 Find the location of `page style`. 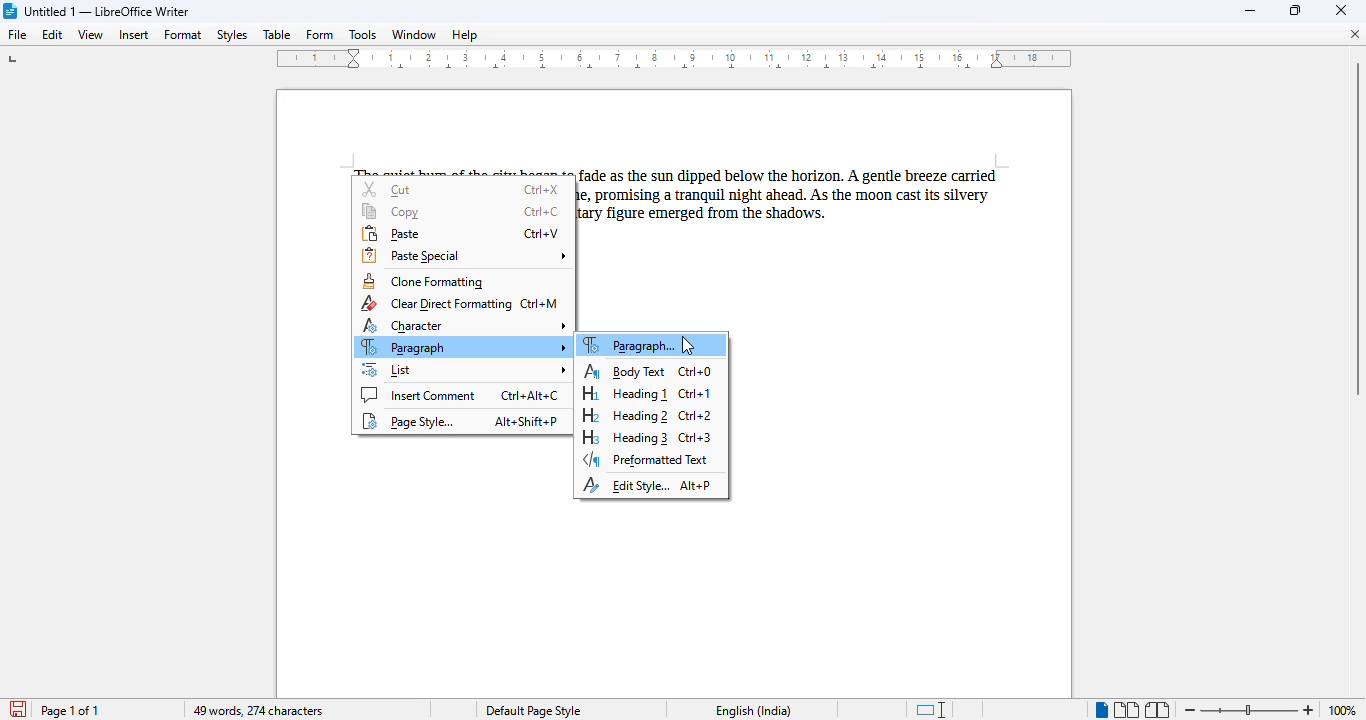

page style is located at coordinates (533, 710).